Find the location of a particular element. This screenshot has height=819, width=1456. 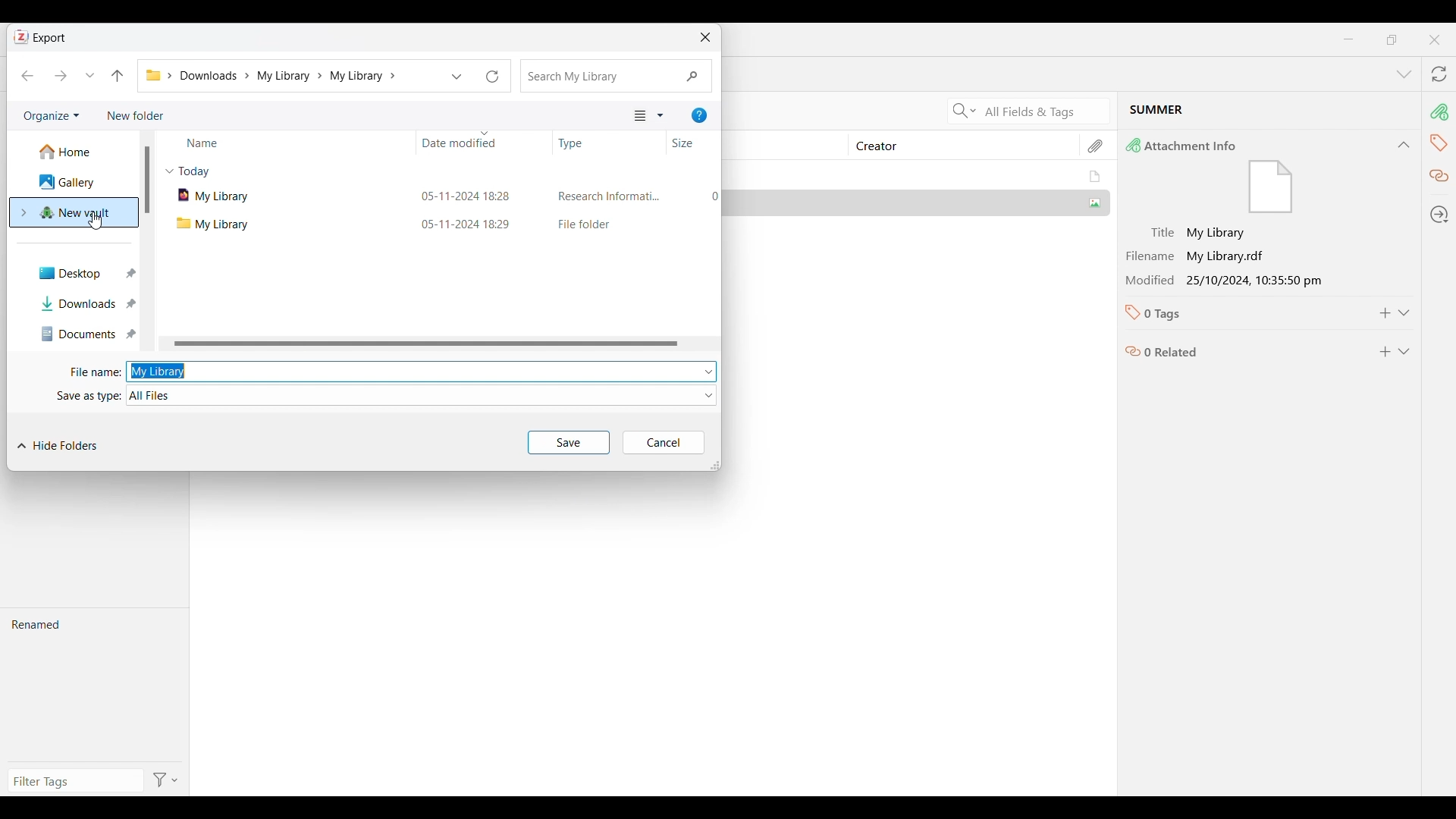

Move to the previous folder is located at coordinates (118, 74).